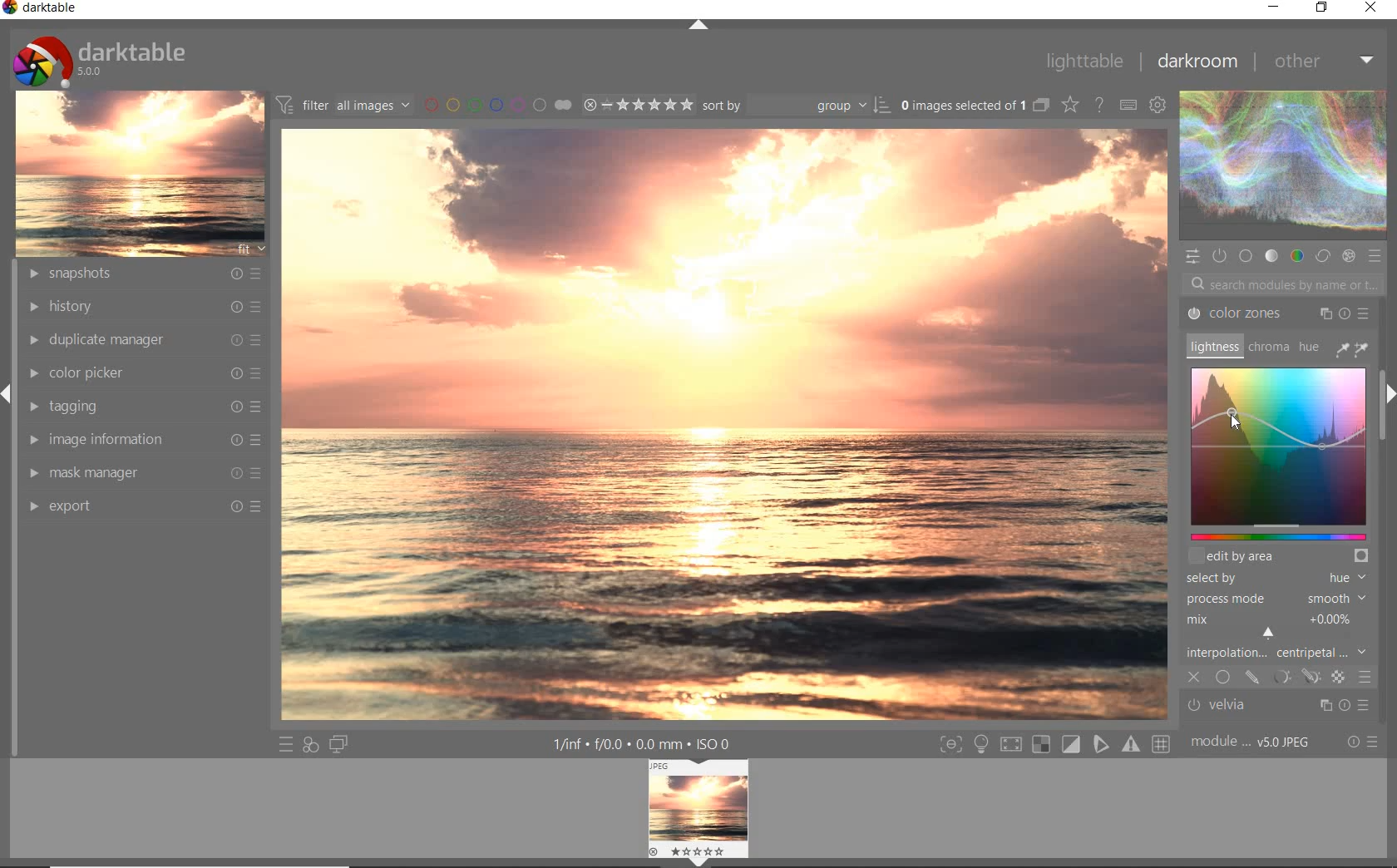 This screenshot has height=868, width=1397. Describe the element at coordinates (724, 421) in the screenshot. I see `SELECTED IMAGE` at that location.